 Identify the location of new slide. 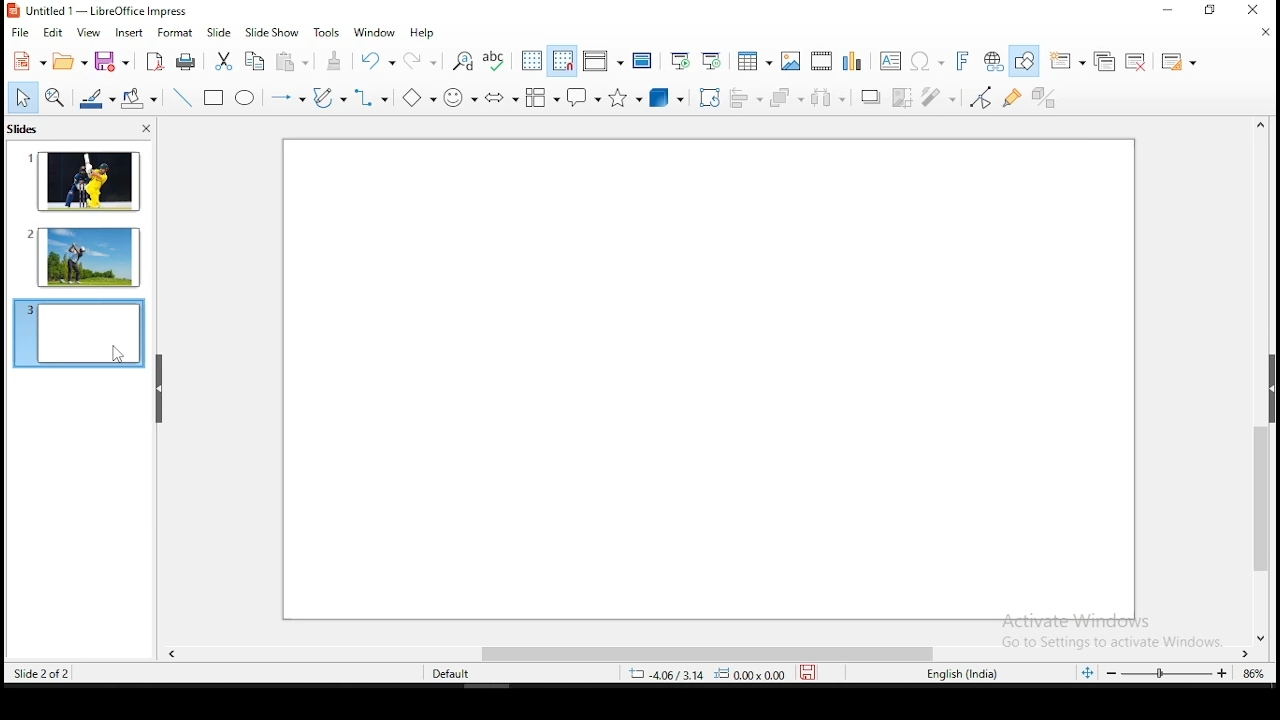
(1069, 59).